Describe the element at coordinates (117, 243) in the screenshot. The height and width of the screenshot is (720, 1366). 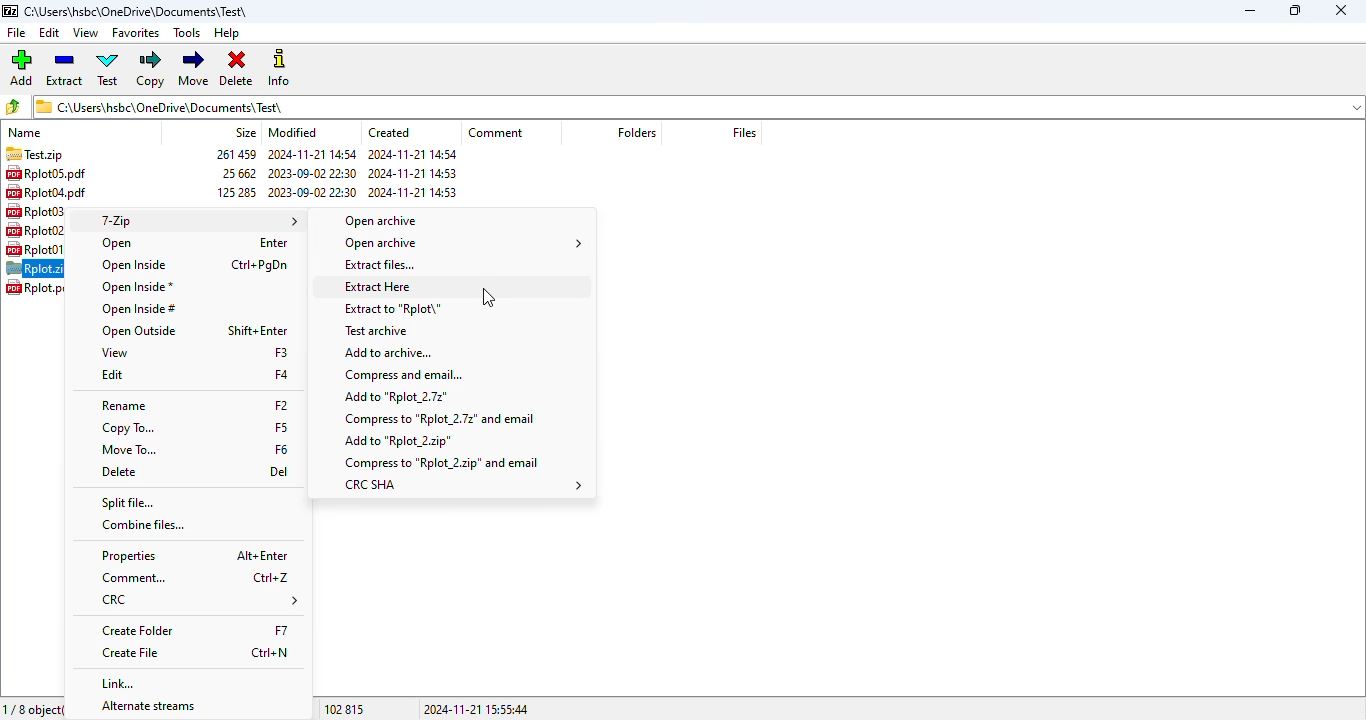
I see `open` at that location.